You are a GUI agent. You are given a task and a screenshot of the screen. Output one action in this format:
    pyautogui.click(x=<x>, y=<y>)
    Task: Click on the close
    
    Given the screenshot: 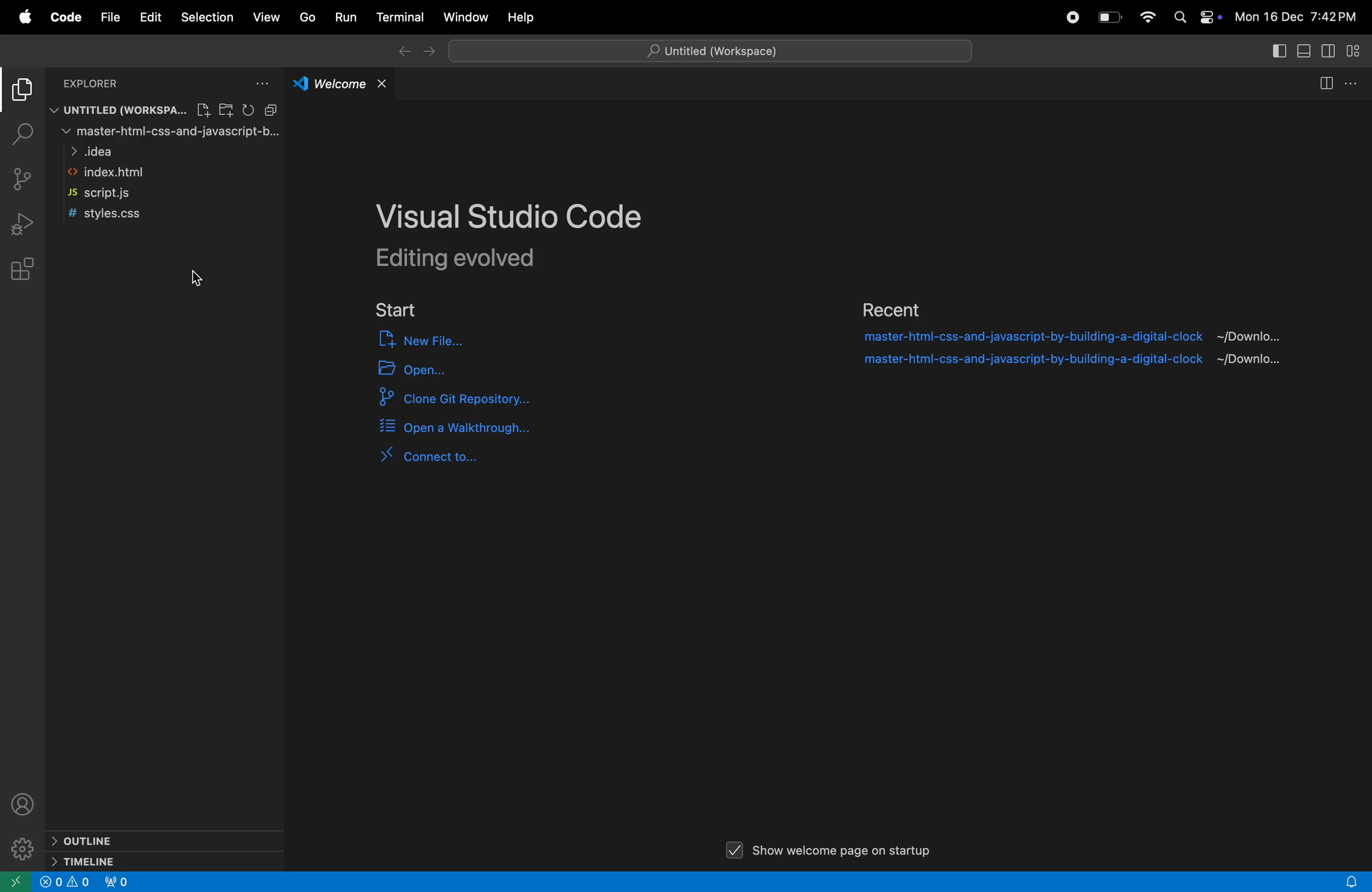 What is the action you would take?
    pyautogui.click(x=383, y=85)
    